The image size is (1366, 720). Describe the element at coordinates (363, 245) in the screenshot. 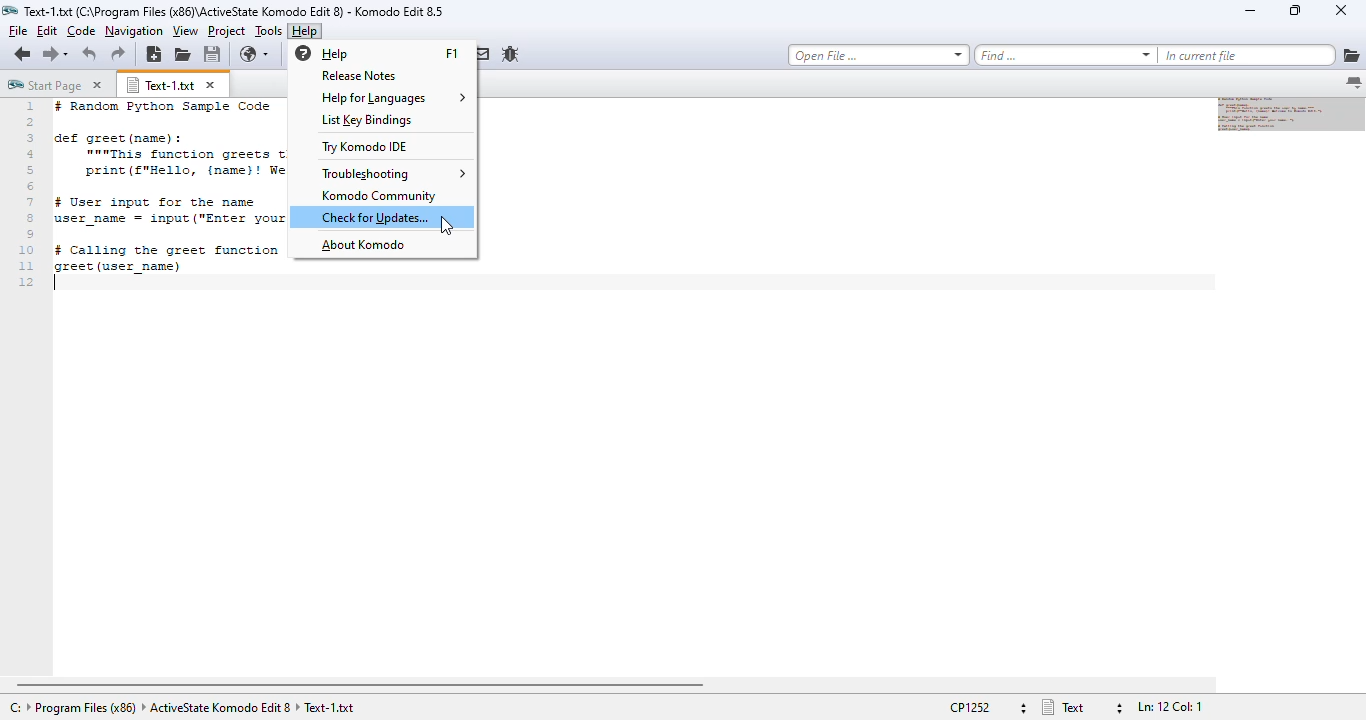

I see `about komodo` at that location.